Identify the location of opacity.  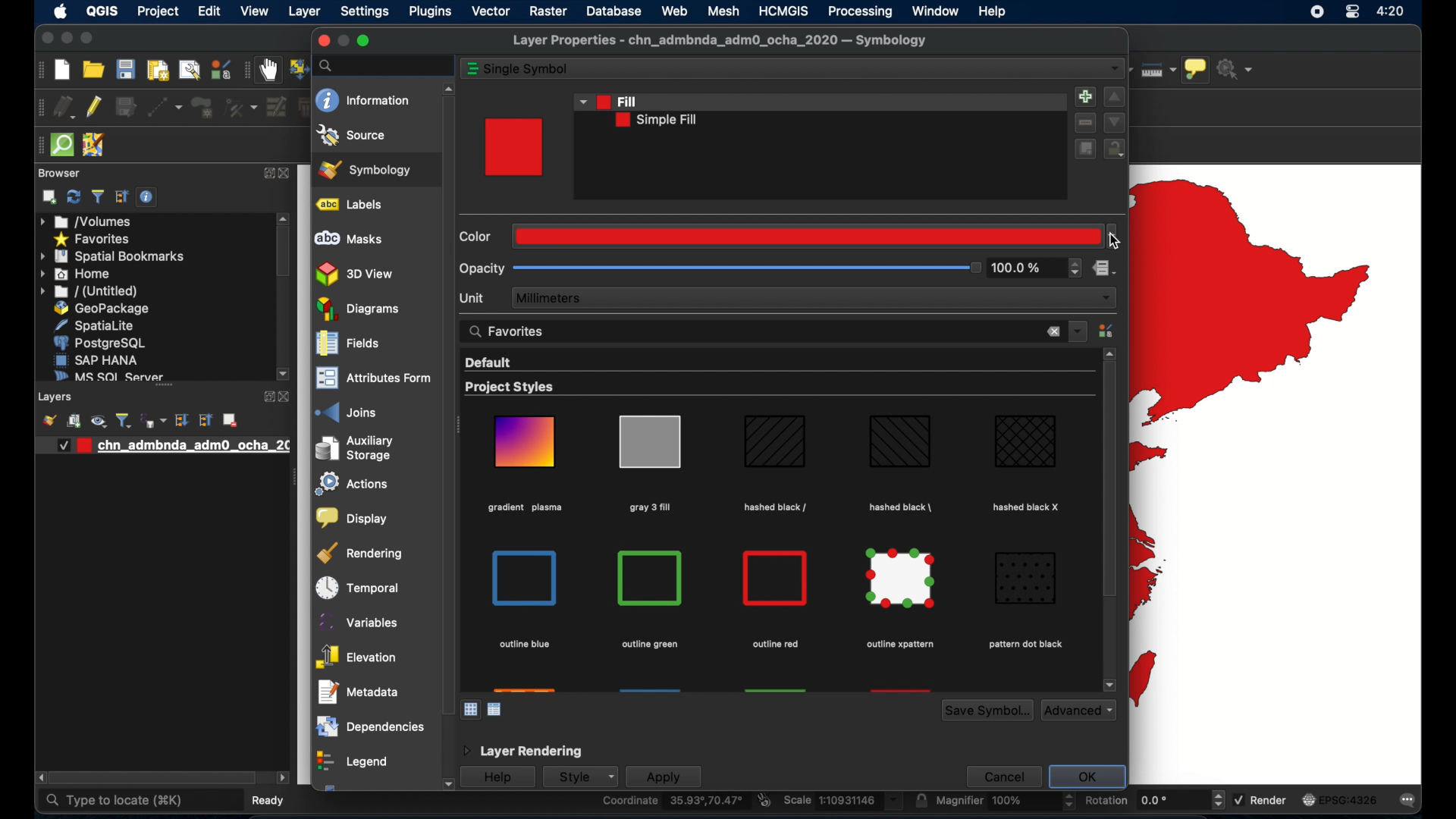
(482, 268).